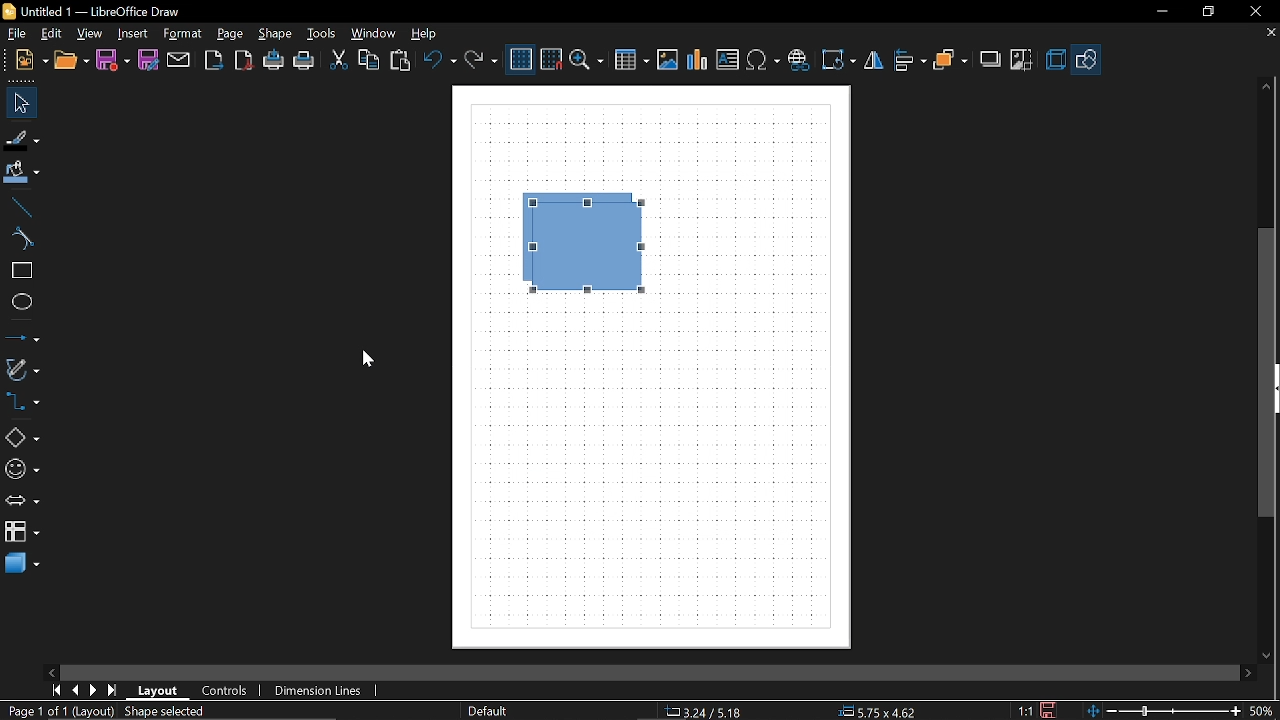  Describe the element at coordinates (22, 501) in the screenshot. I see `arrows` at that location.